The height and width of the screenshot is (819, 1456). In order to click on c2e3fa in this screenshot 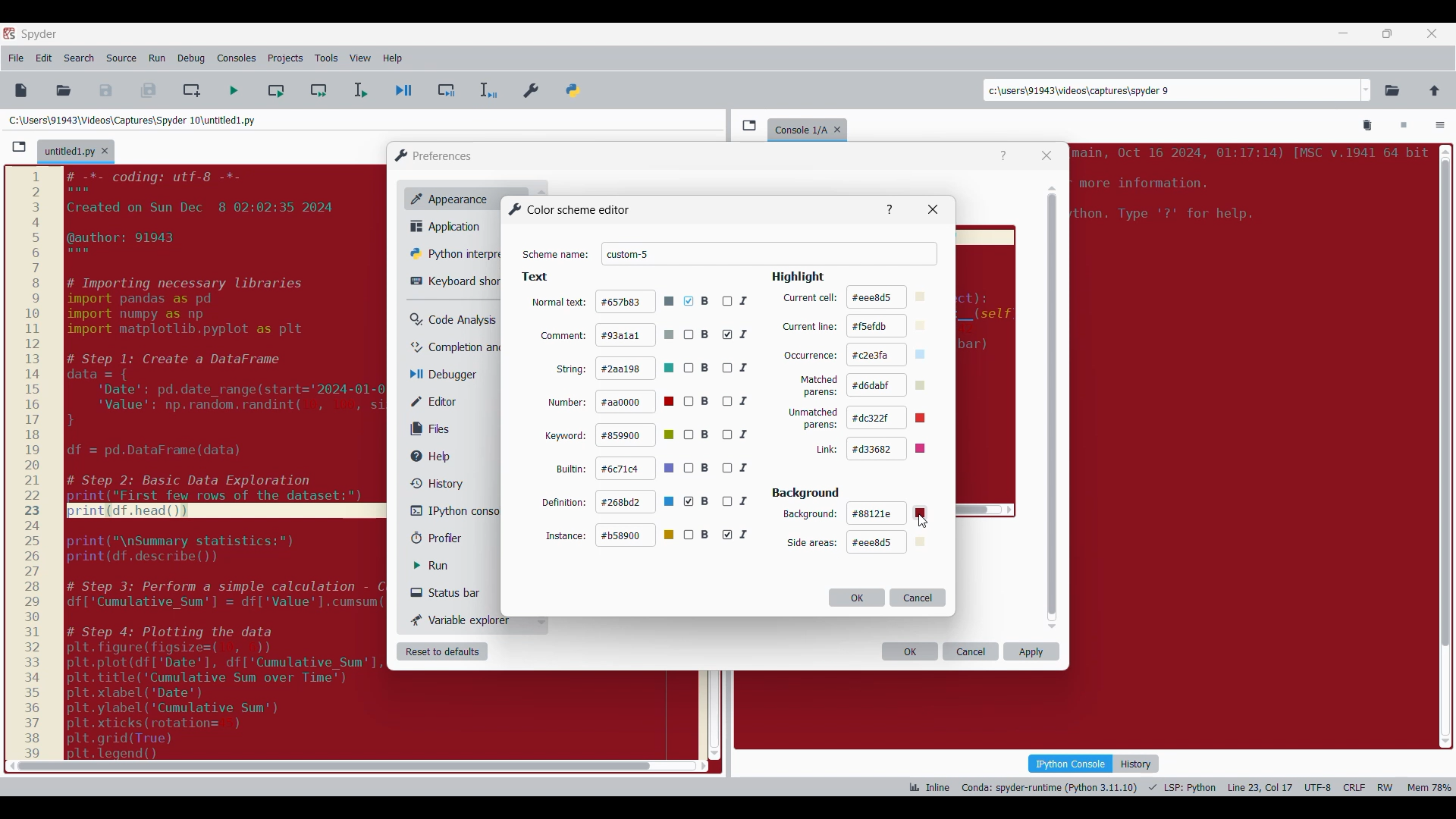, I will do `click(890, 355)`.